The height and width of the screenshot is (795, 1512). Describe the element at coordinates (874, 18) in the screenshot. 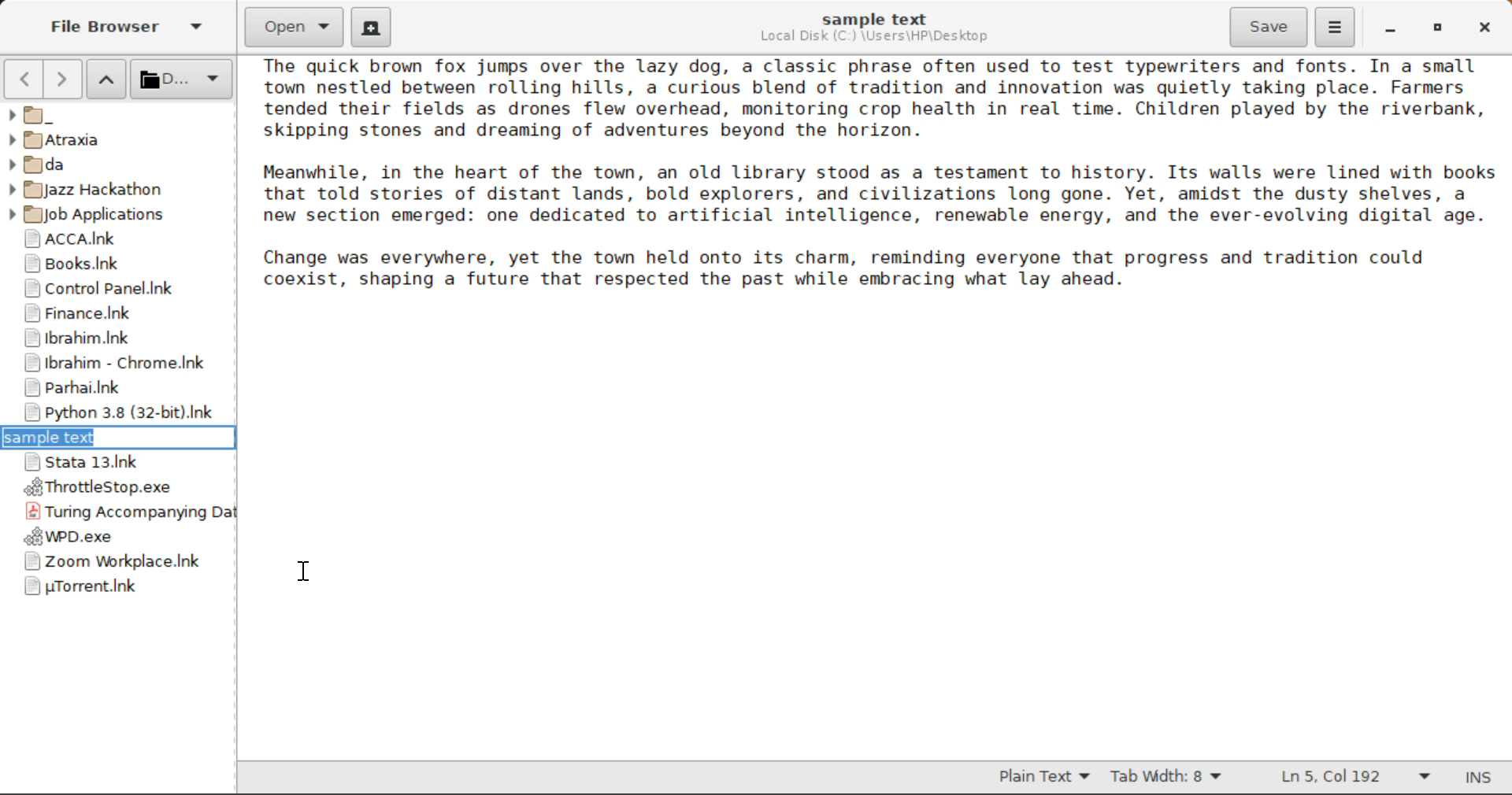

I see `sample text File Name` at that location.